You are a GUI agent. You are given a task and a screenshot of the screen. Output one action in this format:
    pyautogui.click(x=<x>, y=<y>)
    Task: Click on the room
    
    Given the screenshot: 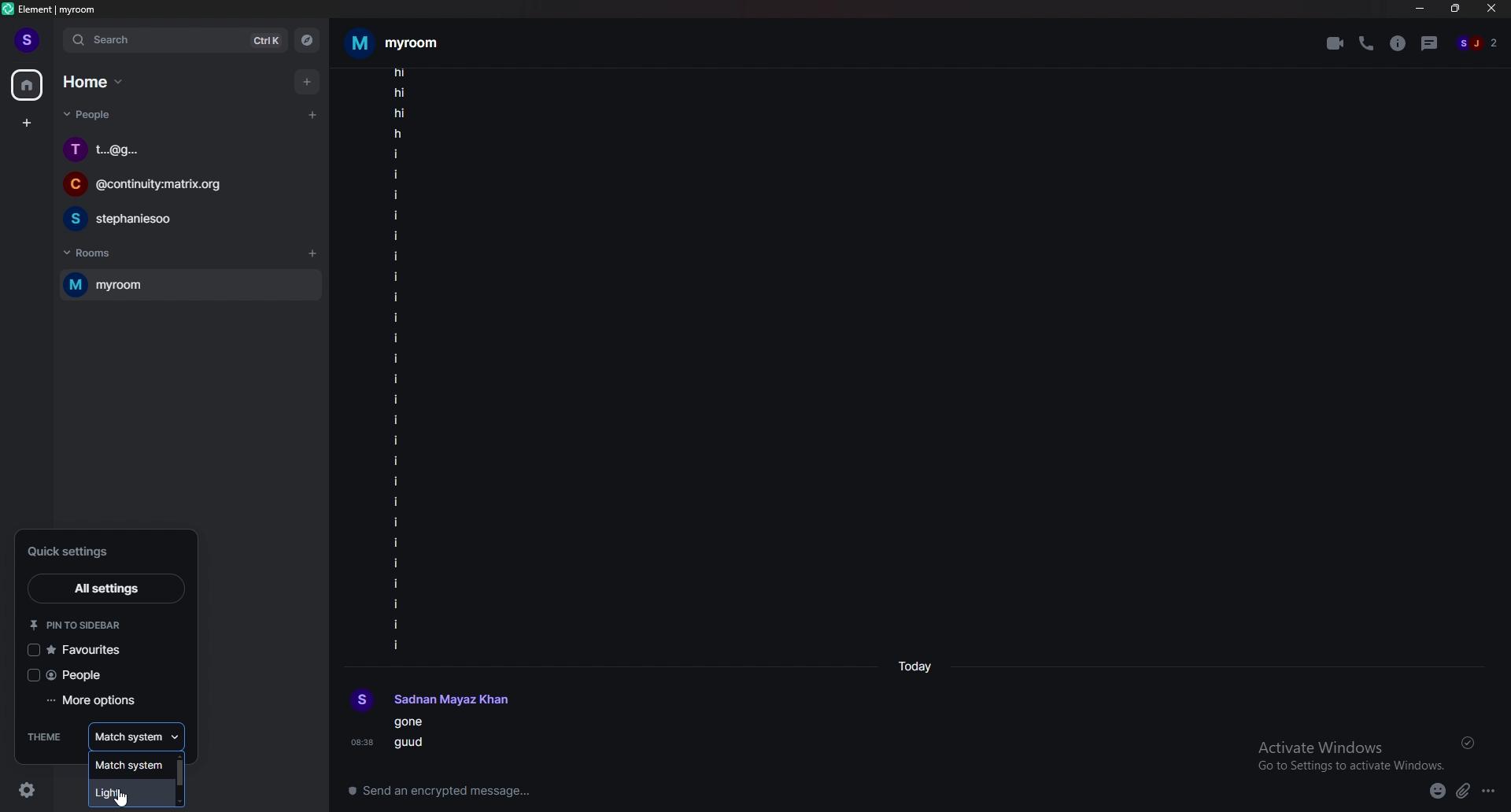 What is the action you would take?
    pyautogui.click(x=407, y=42)
    